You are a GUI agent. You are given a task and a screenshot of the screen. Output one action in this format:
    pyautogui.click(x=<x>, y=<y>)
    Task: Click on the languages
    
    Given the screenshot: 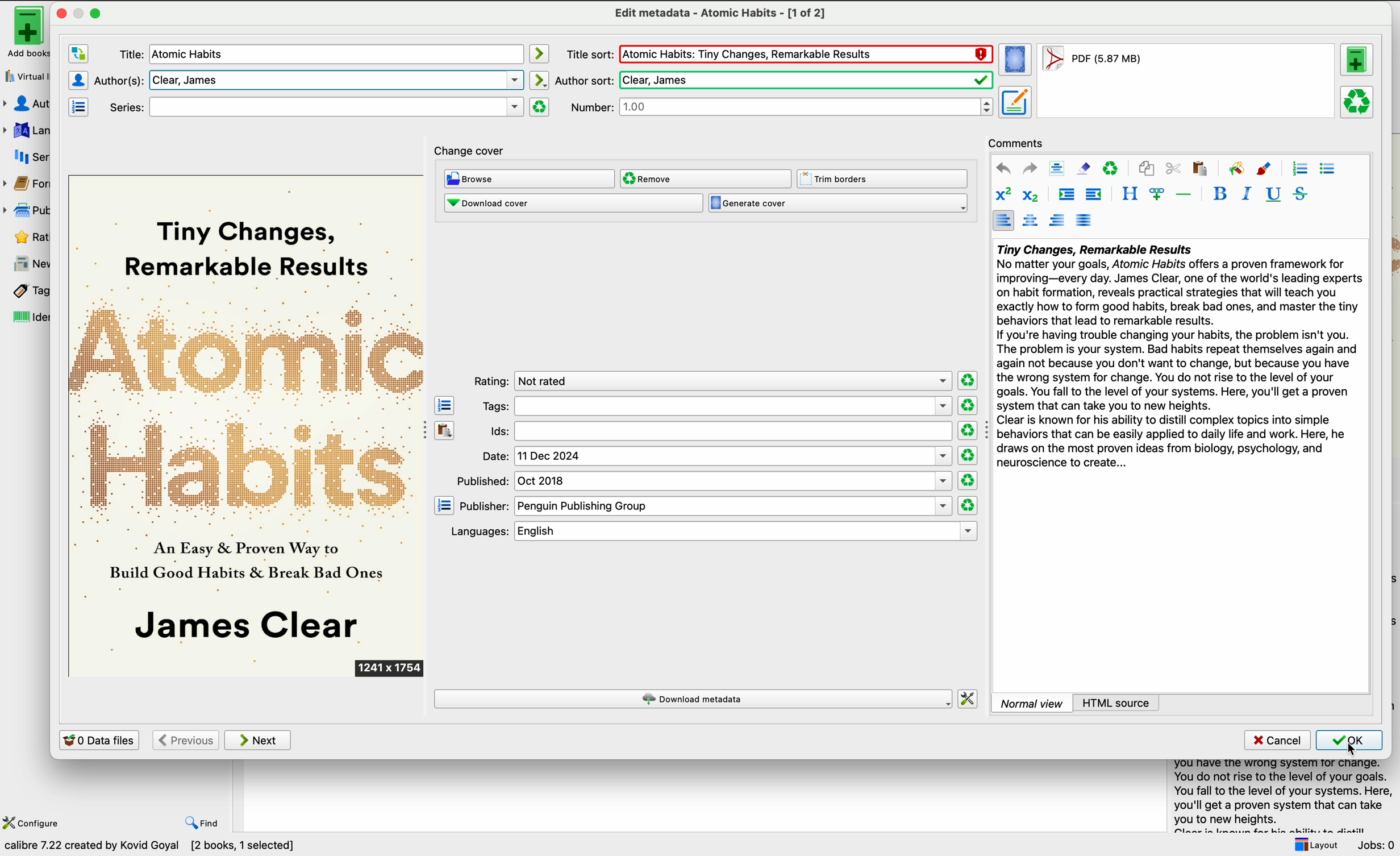 What is the action you would take?
    pyautogui.click(x=26, y=129)
    